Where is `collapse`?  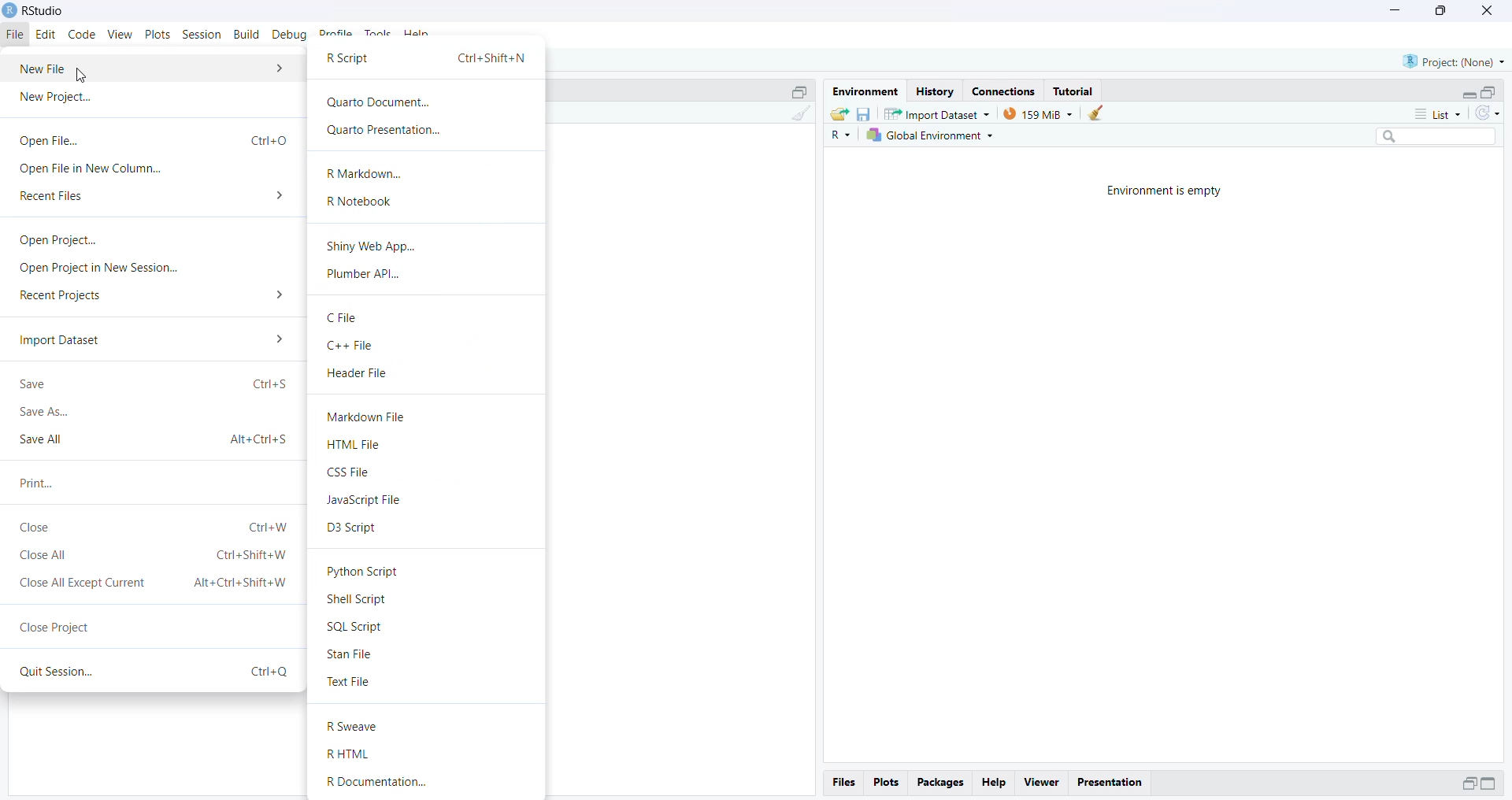
collapse is located at coordinates (1492, 92).